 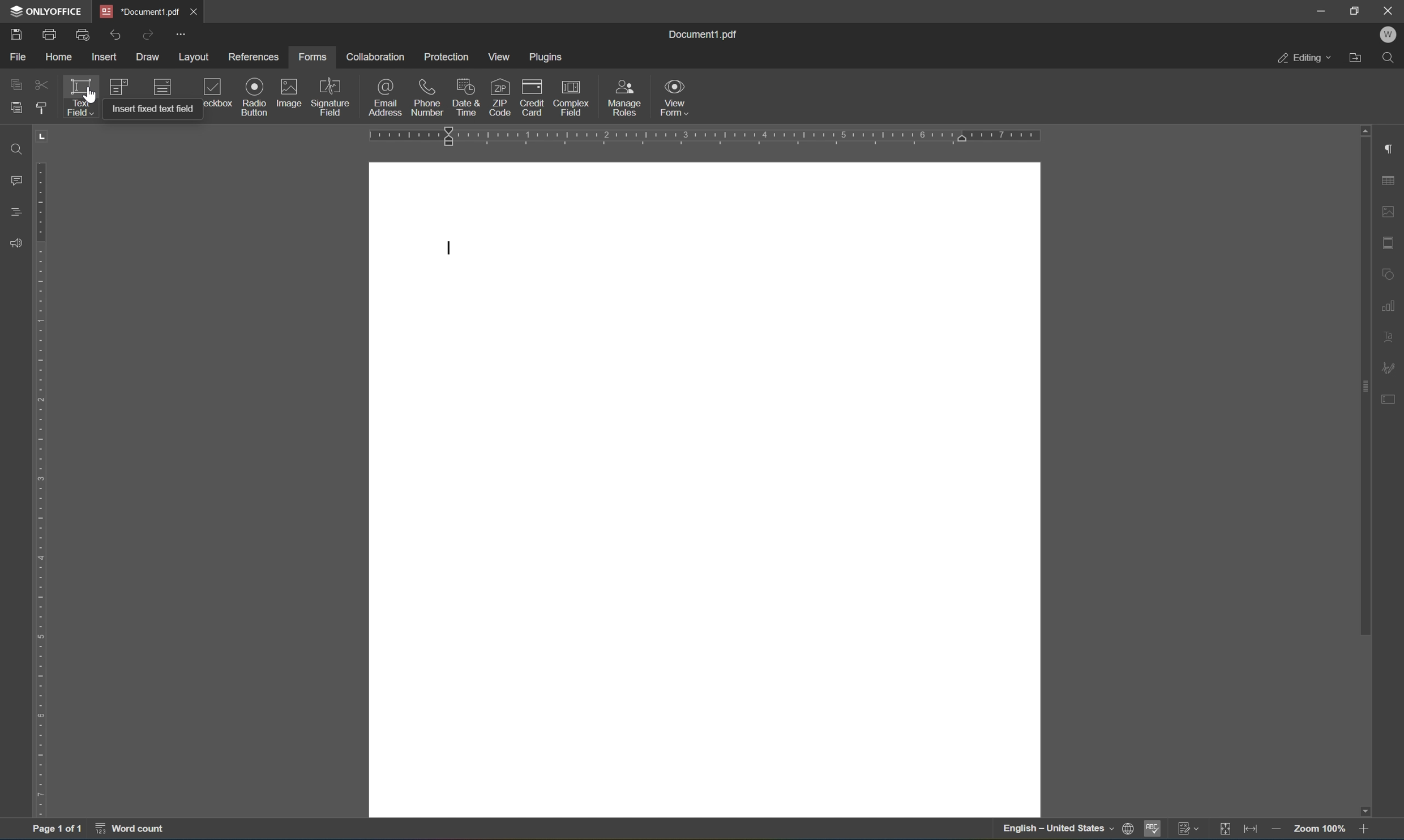 What do you see at coordinates (124, 88) in the screenshot?
I see `combo box` at bounding box center [124, 88].